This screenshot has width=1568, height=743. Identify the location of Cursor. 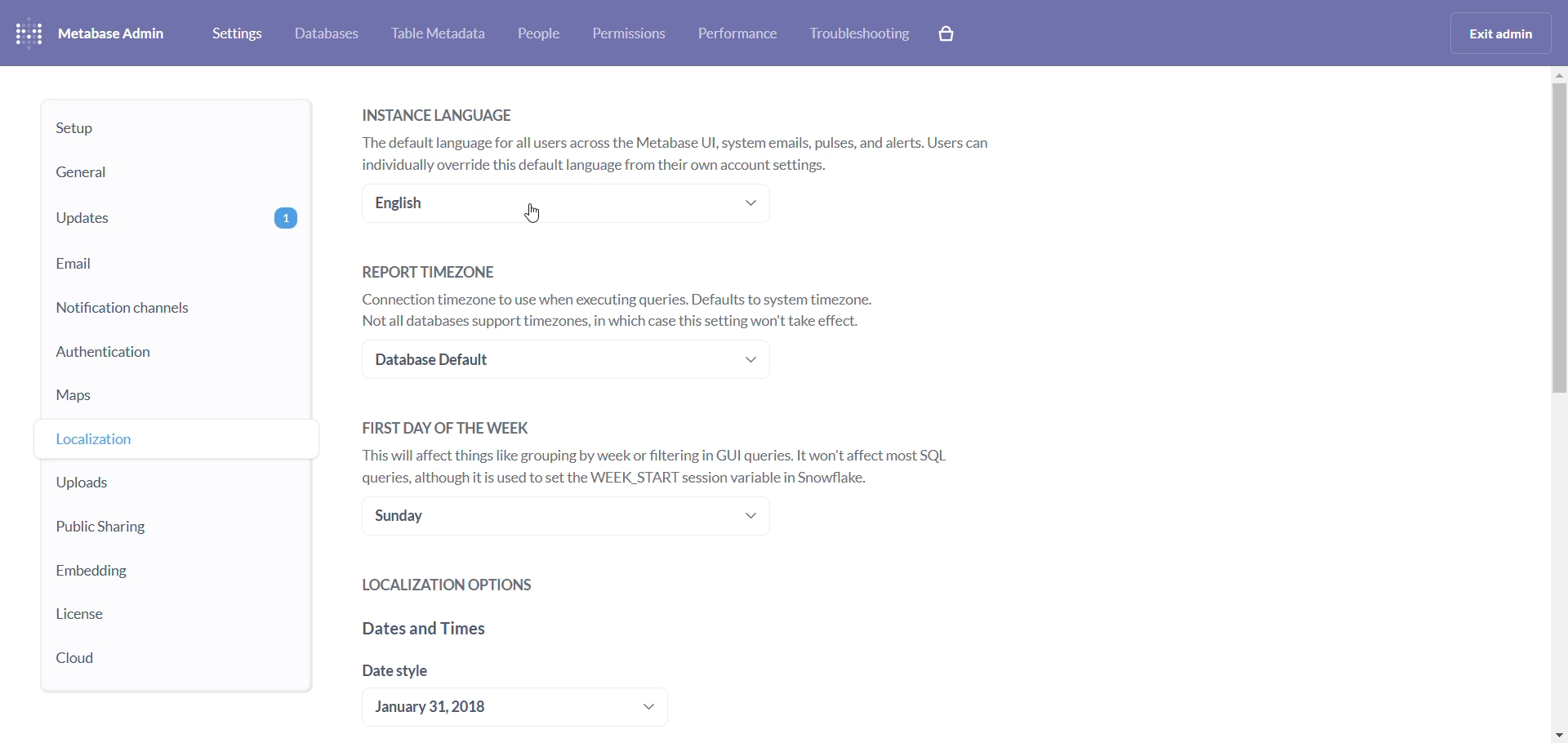
(532, 214).